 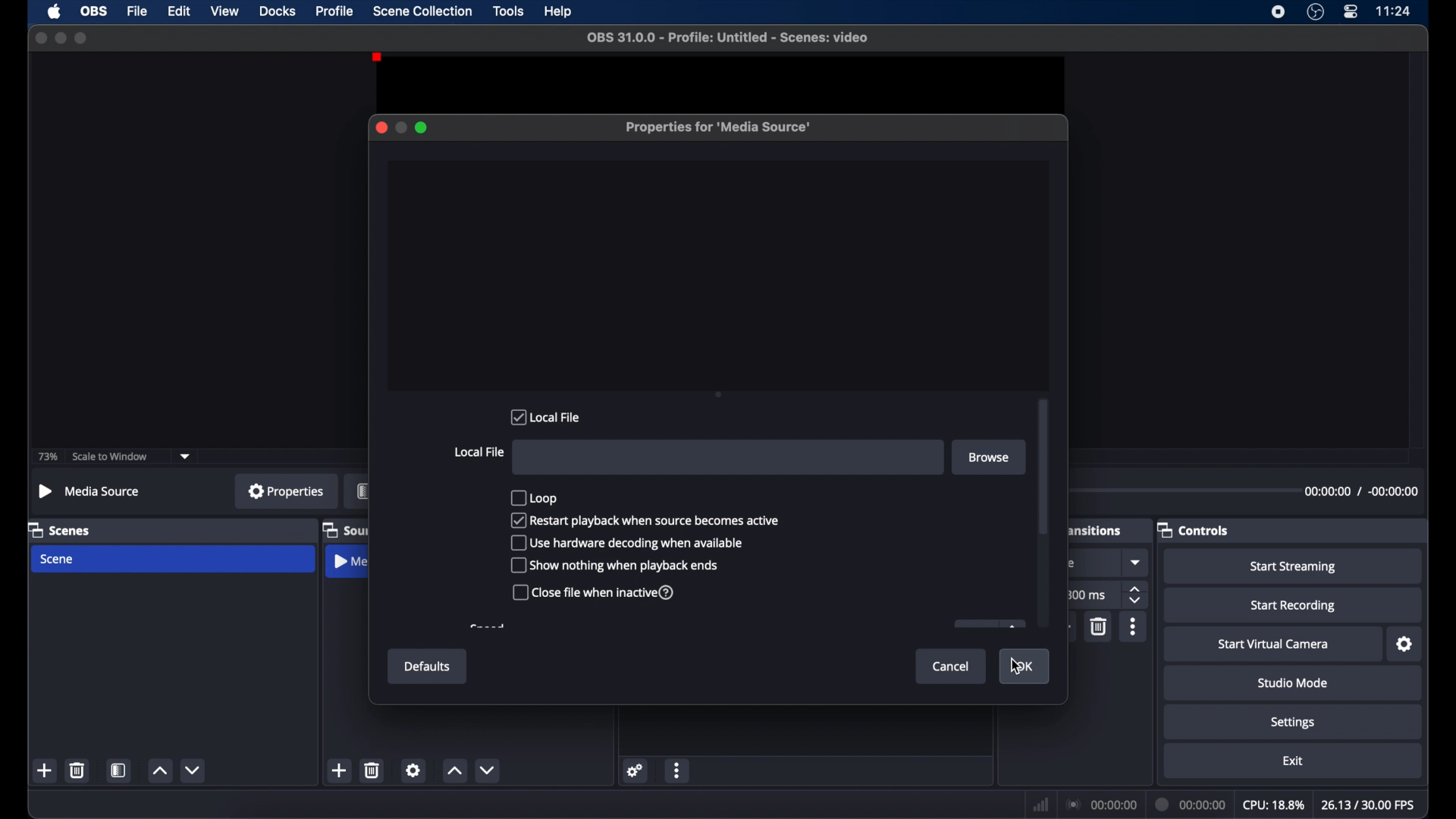 I want to click on delete, so click(x=372, y=770).